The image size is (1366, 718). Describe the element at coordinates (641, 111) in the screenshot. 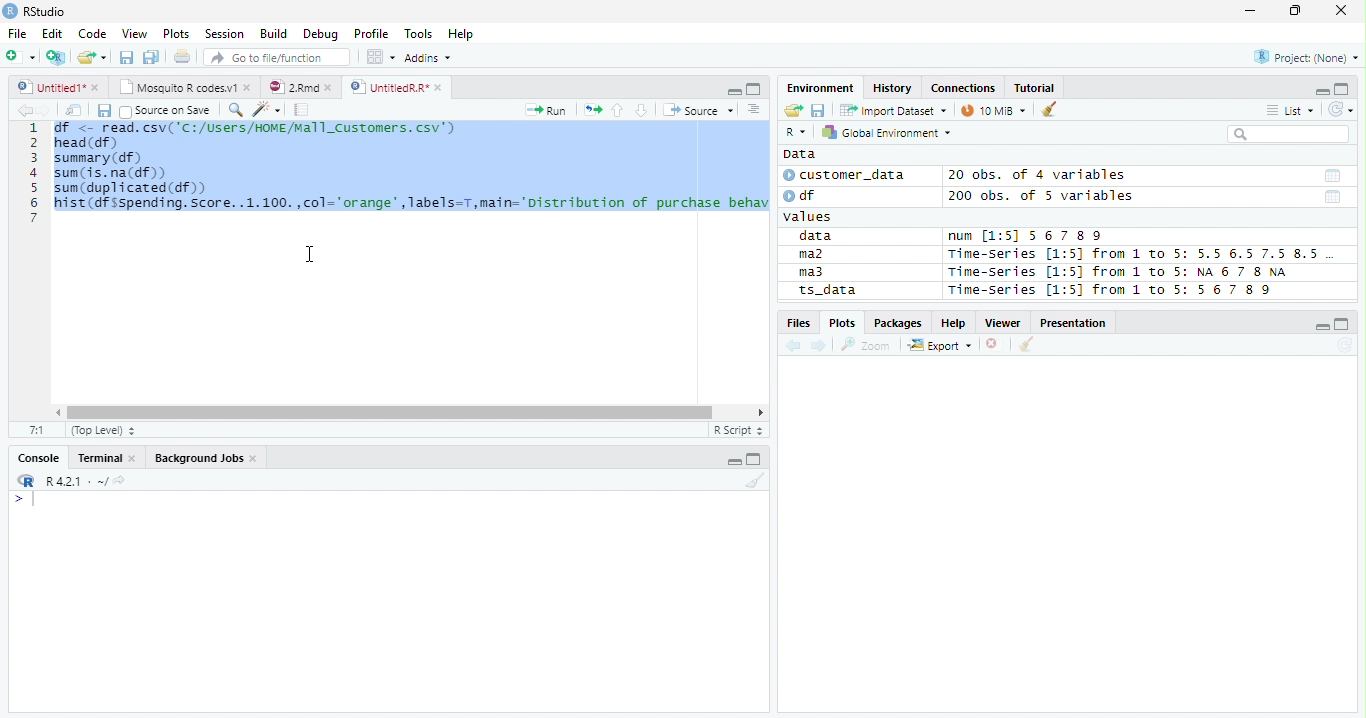

I see `Down` at that location.